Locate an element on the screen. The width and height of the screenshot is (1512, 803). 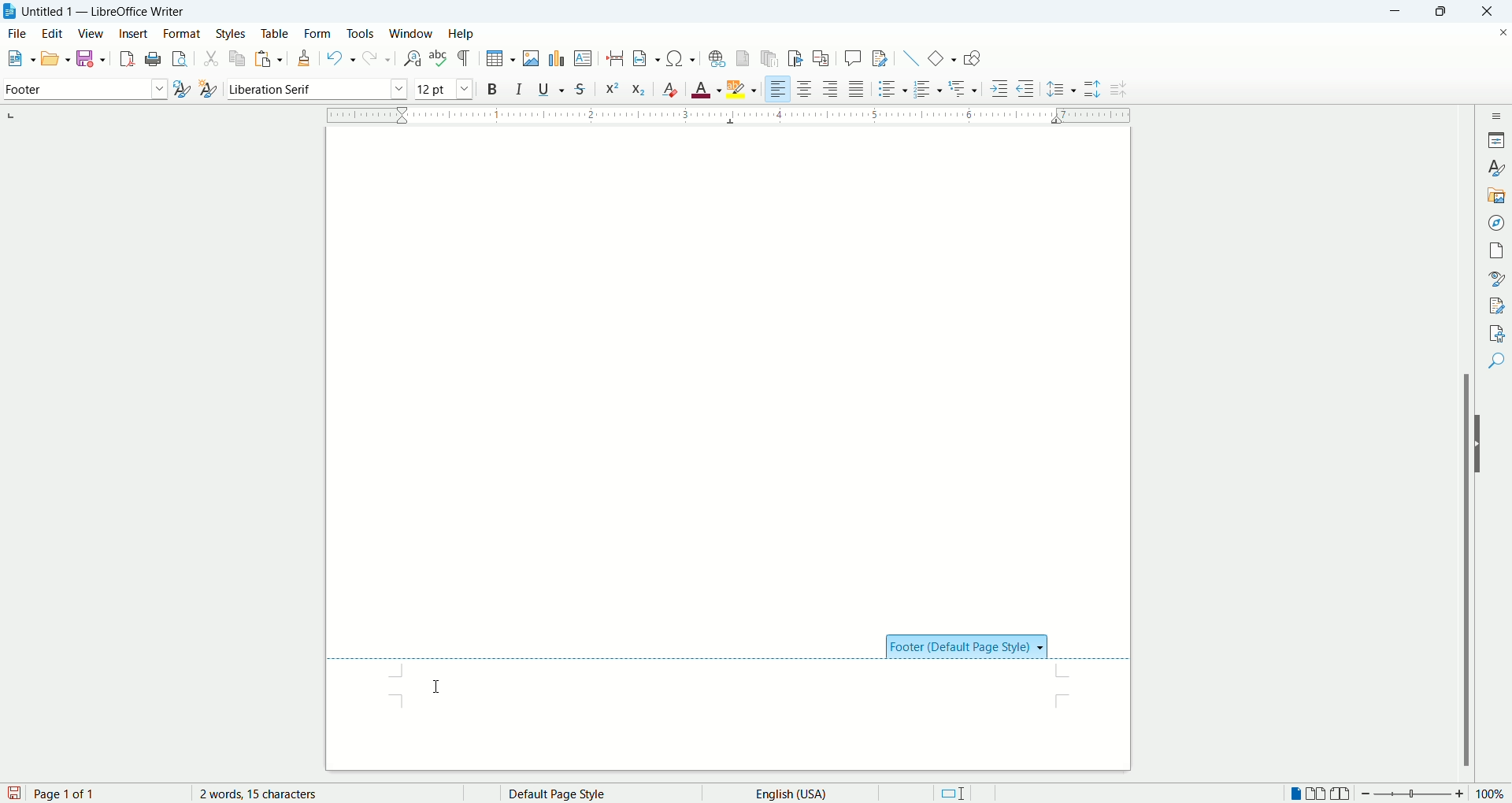
open is located at coordinates (54, 57).